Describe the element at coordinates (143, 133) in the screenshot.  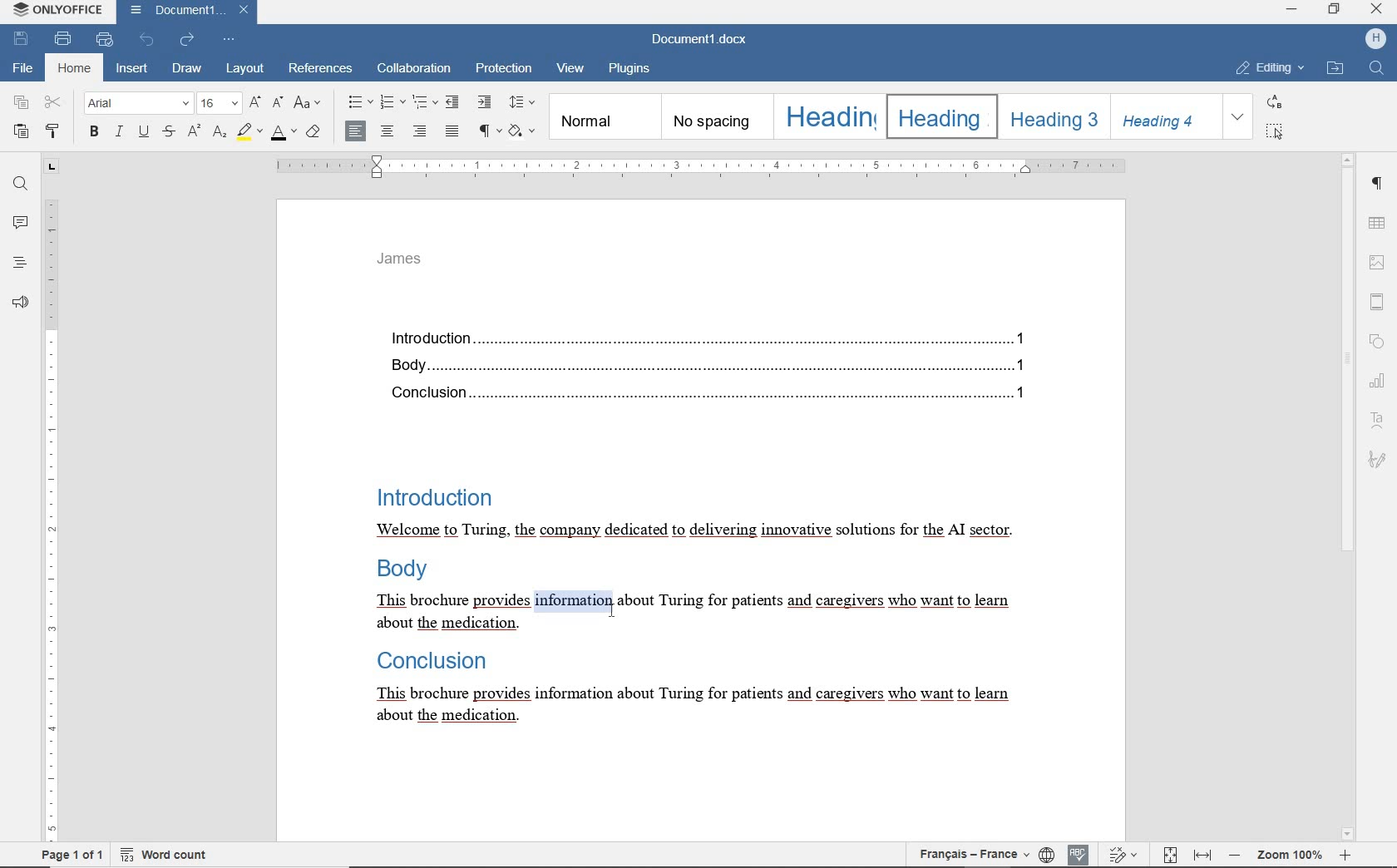
I see `UNDERLINE` at that location.